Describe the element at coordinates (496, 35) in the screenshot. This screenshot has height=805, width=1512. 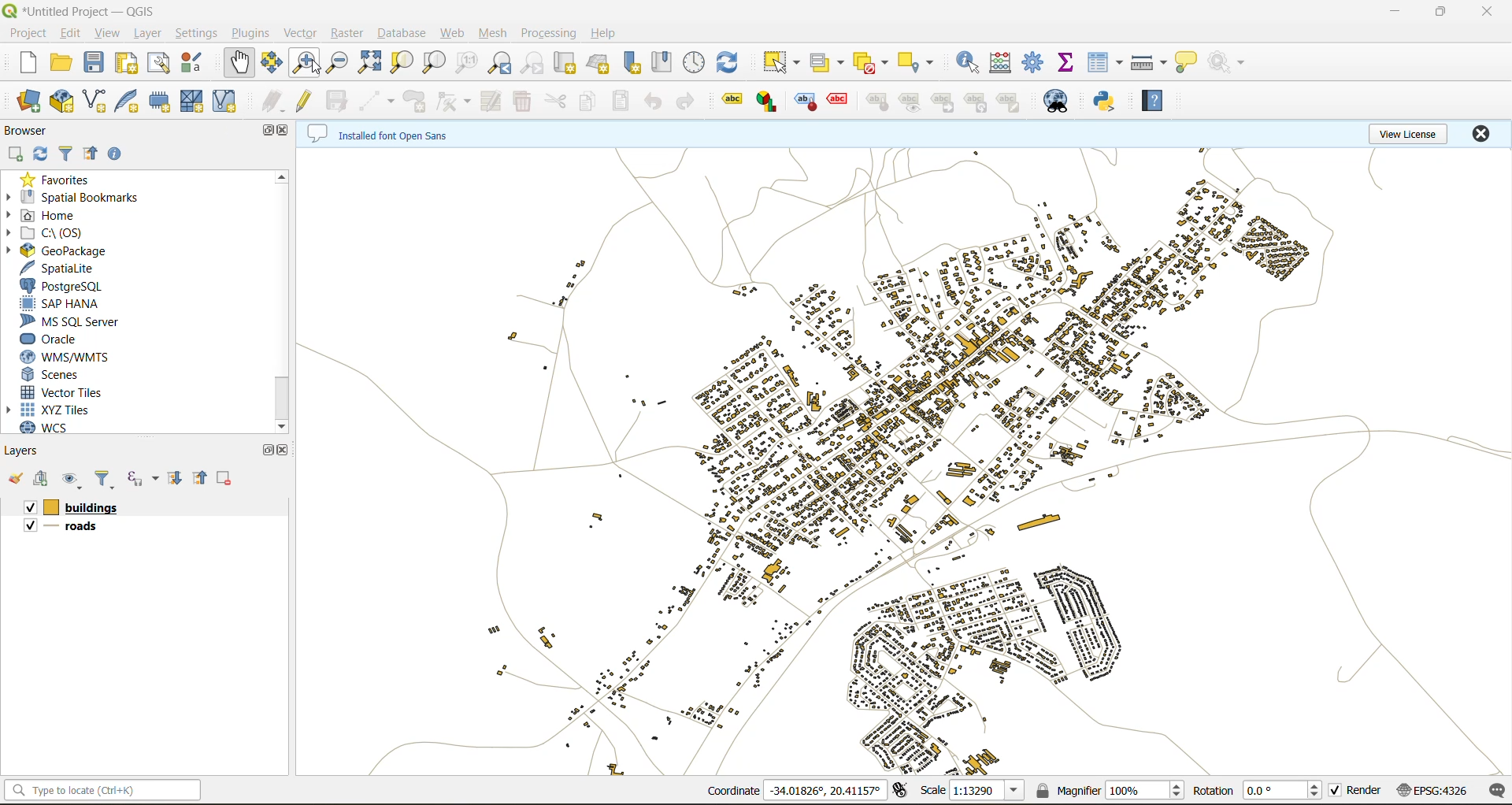
I see `mesh` at that location.